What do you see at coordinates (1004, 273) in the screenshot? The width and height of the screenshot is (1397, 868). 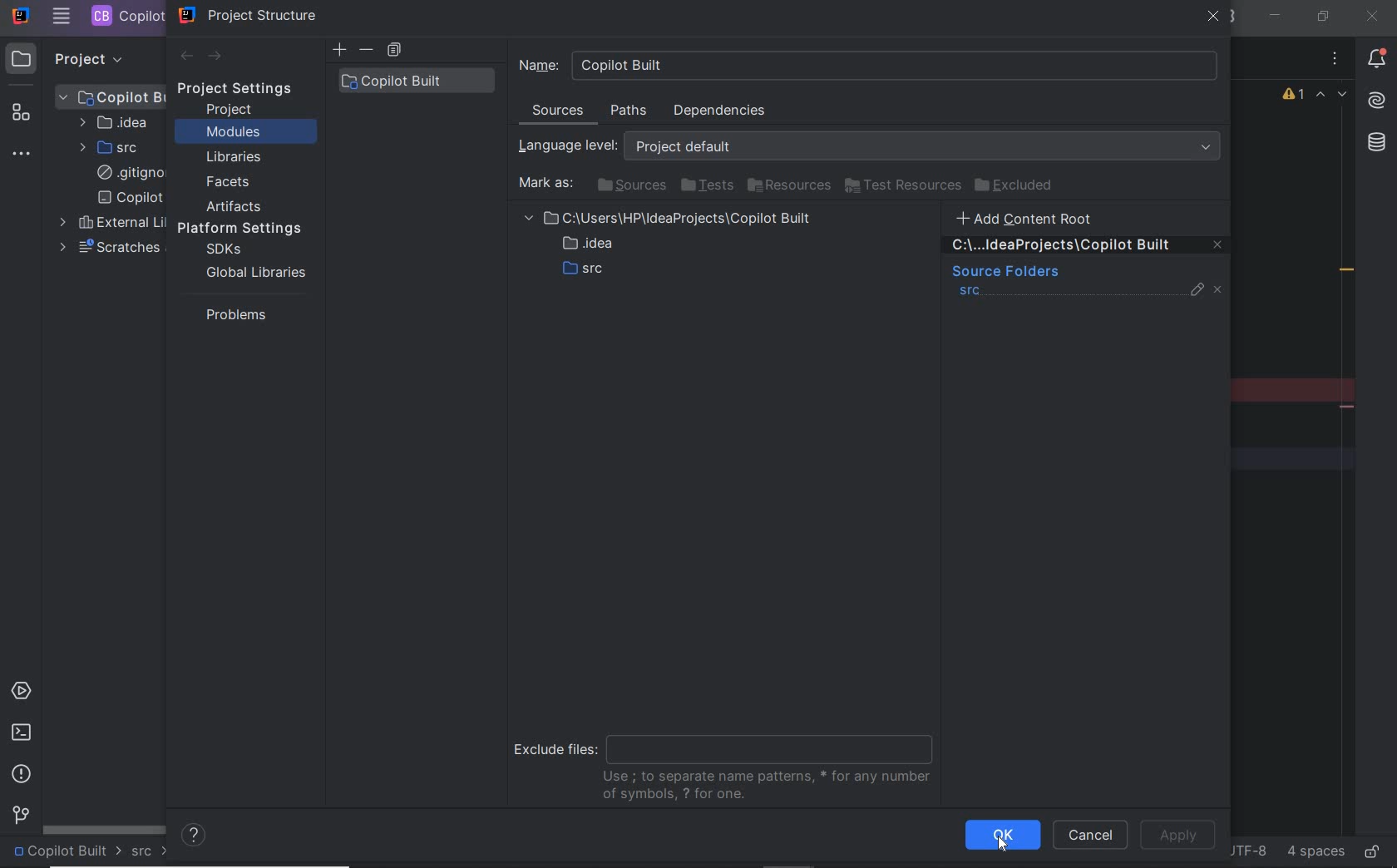 I see `sources folders` at bounding box center [1004, 273].